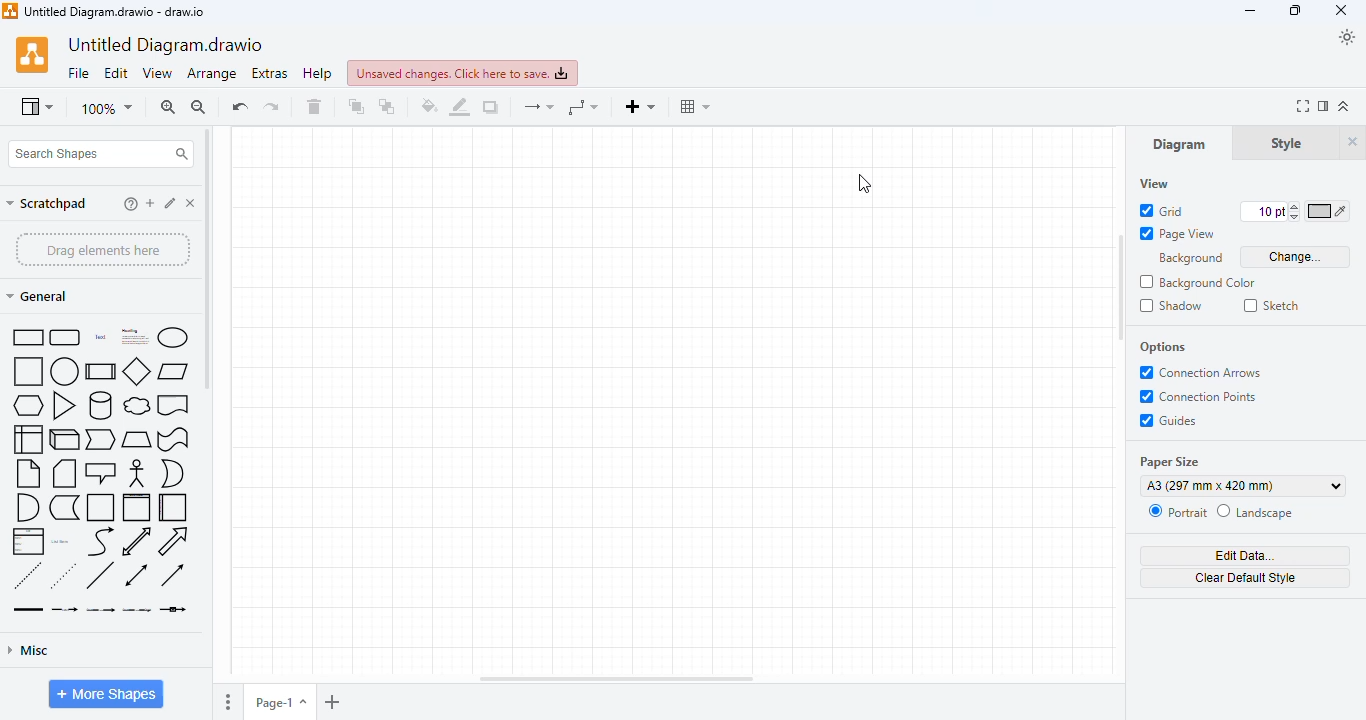 Image resolution: width=1366 pixels, height=720 pixels. I want to click on delete, so click(314, 106).